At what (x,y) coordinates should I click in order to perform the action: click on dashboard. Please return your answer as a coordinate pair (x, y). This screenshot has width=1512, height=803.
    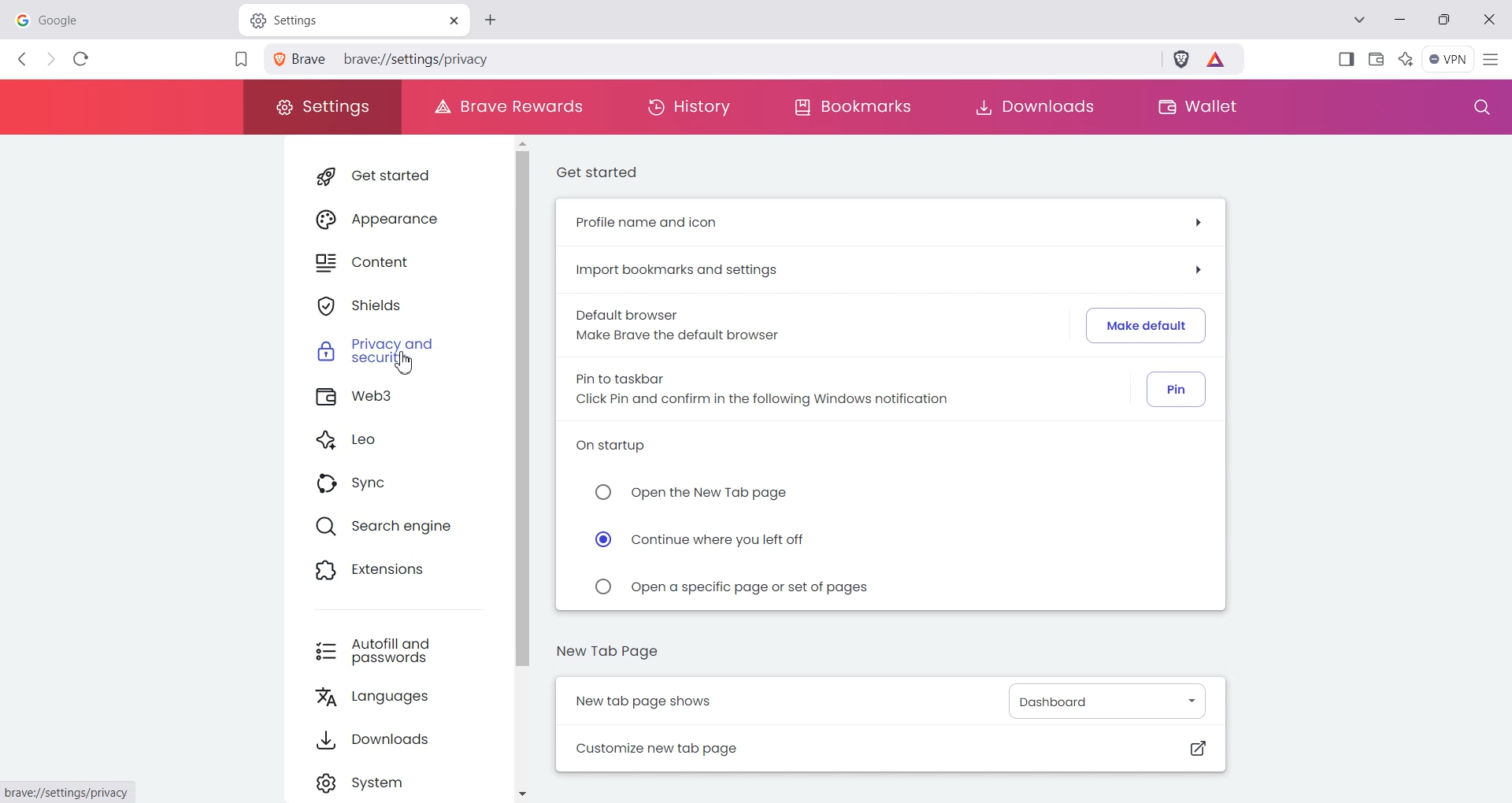
    Looking at the image, I should click on (1100, 700).